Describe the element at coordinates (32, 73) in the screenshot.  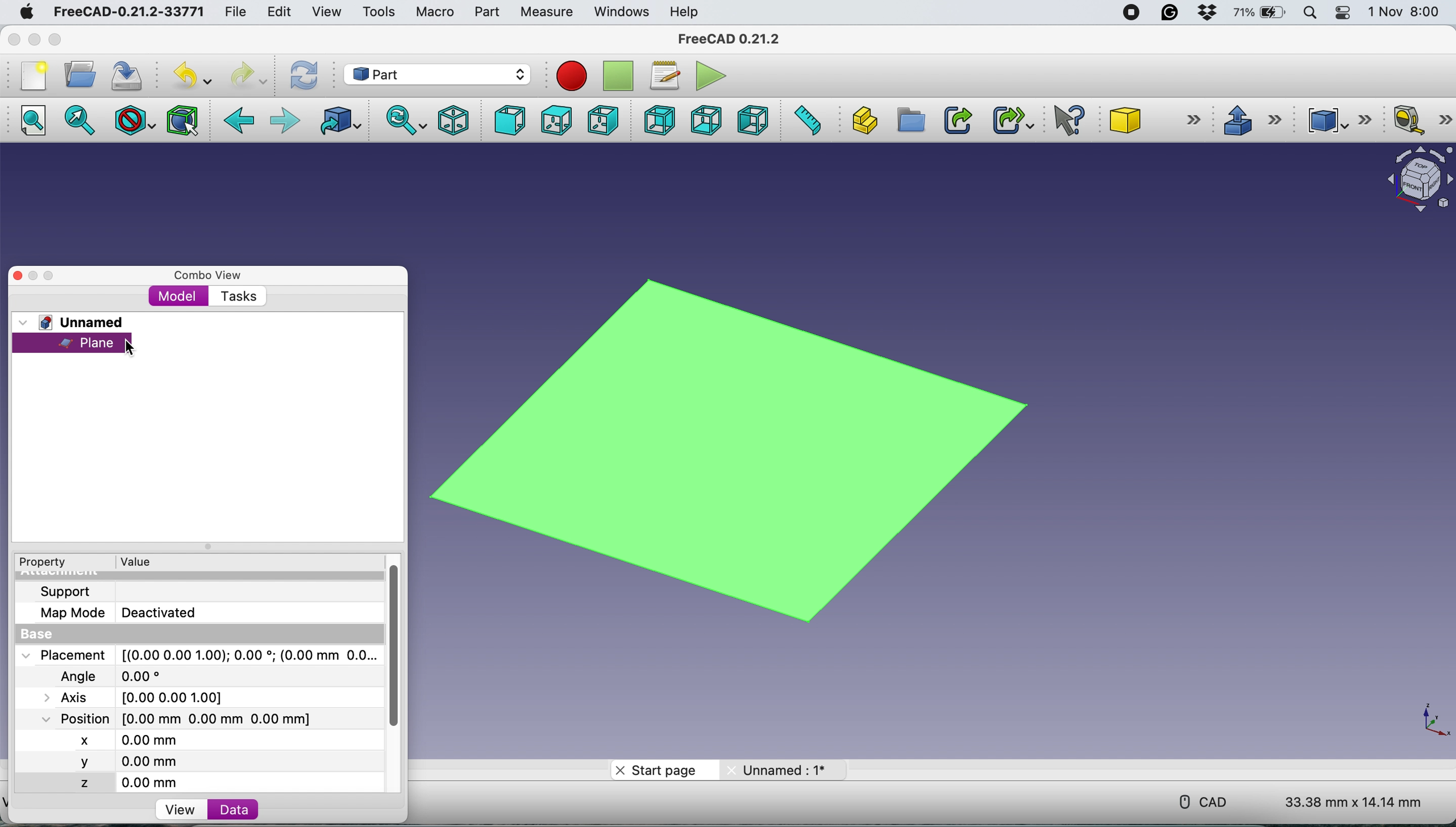
I see `new` at that location.